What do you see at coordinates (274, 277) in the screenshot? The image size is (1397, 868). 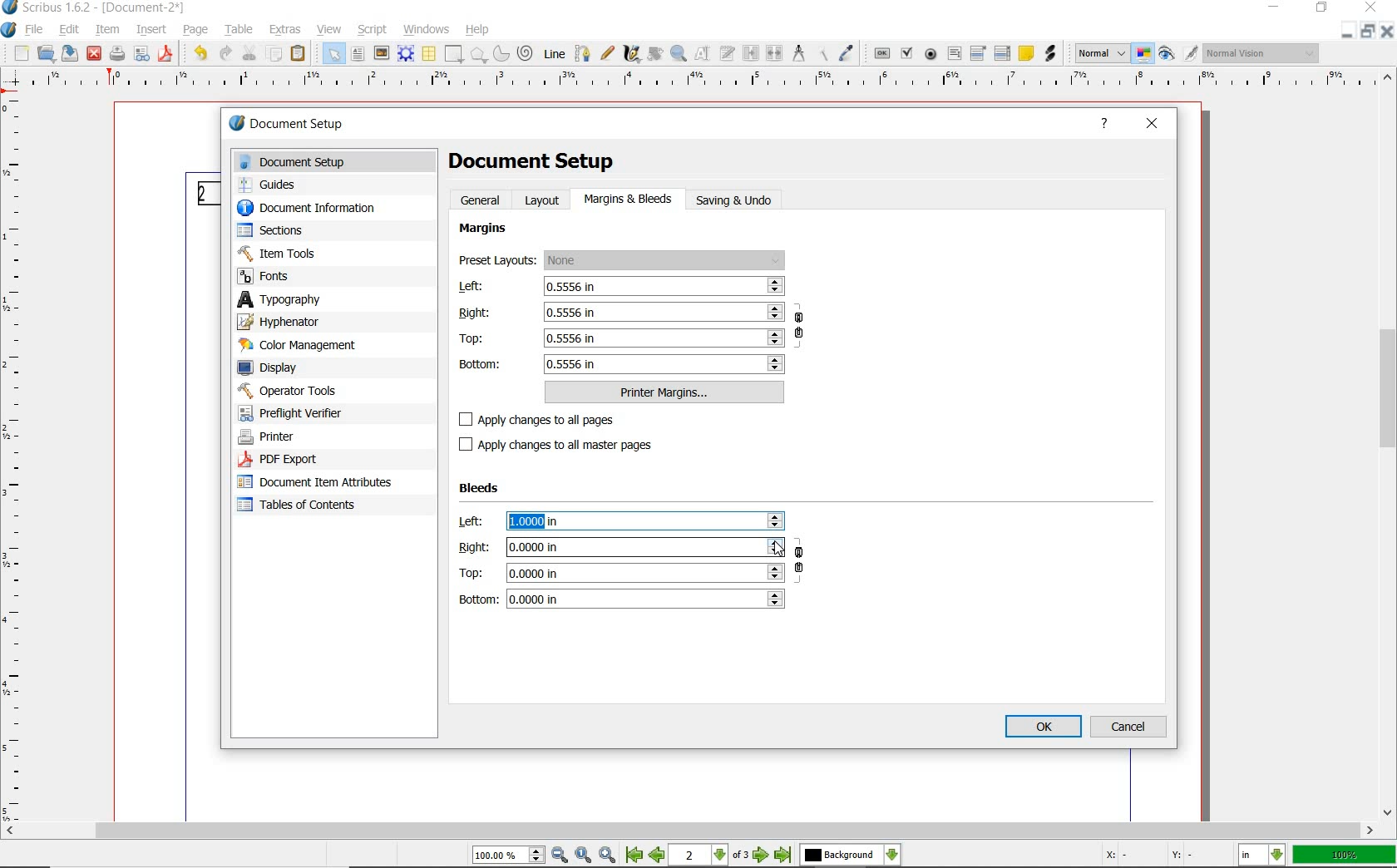 I see `fonts` at bounding box center [274, 277].